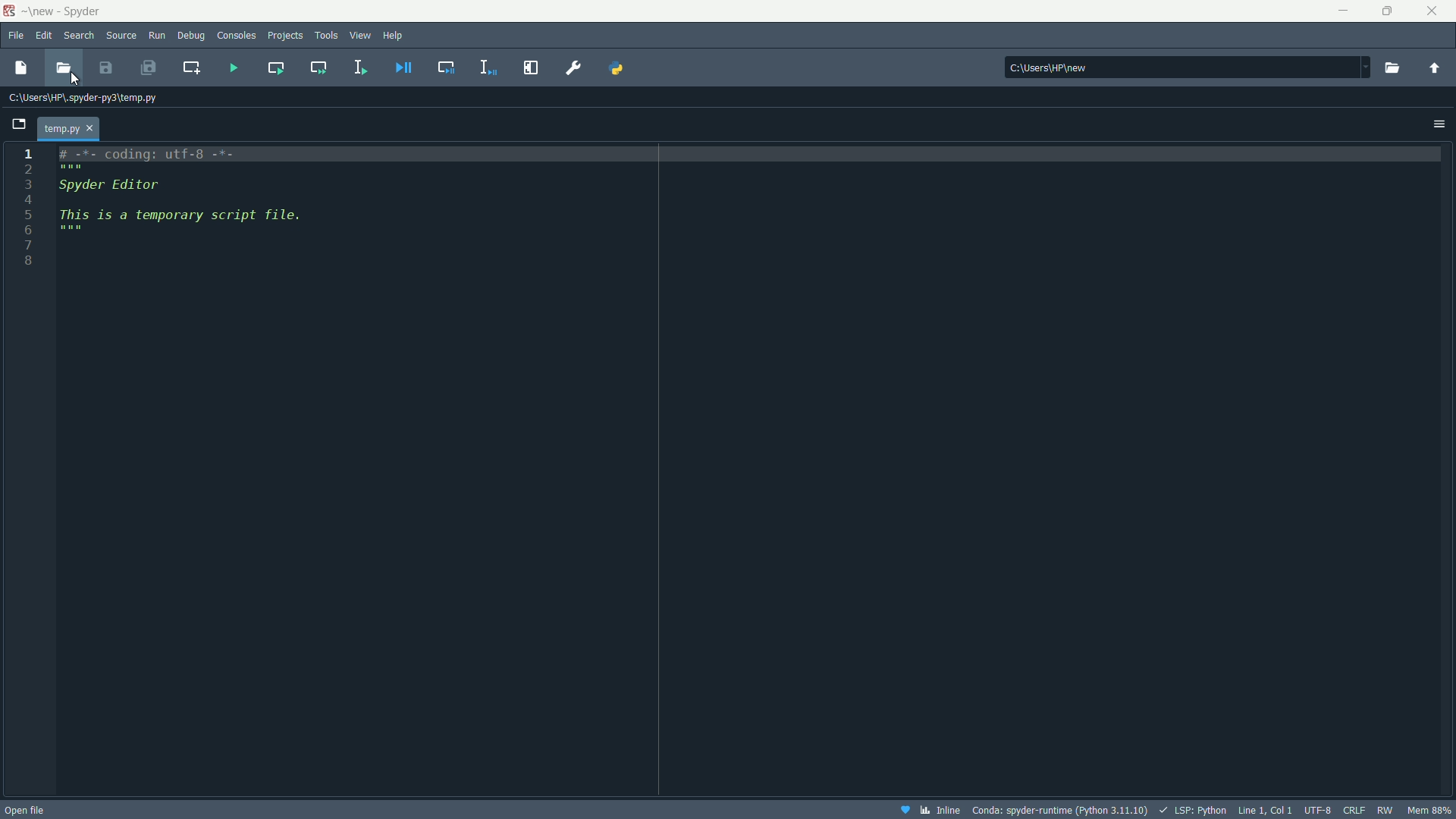 Image resolution: width=1456 pixels, height=819 pixels. Describe the element at coordinates (930, 809) in the screenshot. I see `inline` at that location.